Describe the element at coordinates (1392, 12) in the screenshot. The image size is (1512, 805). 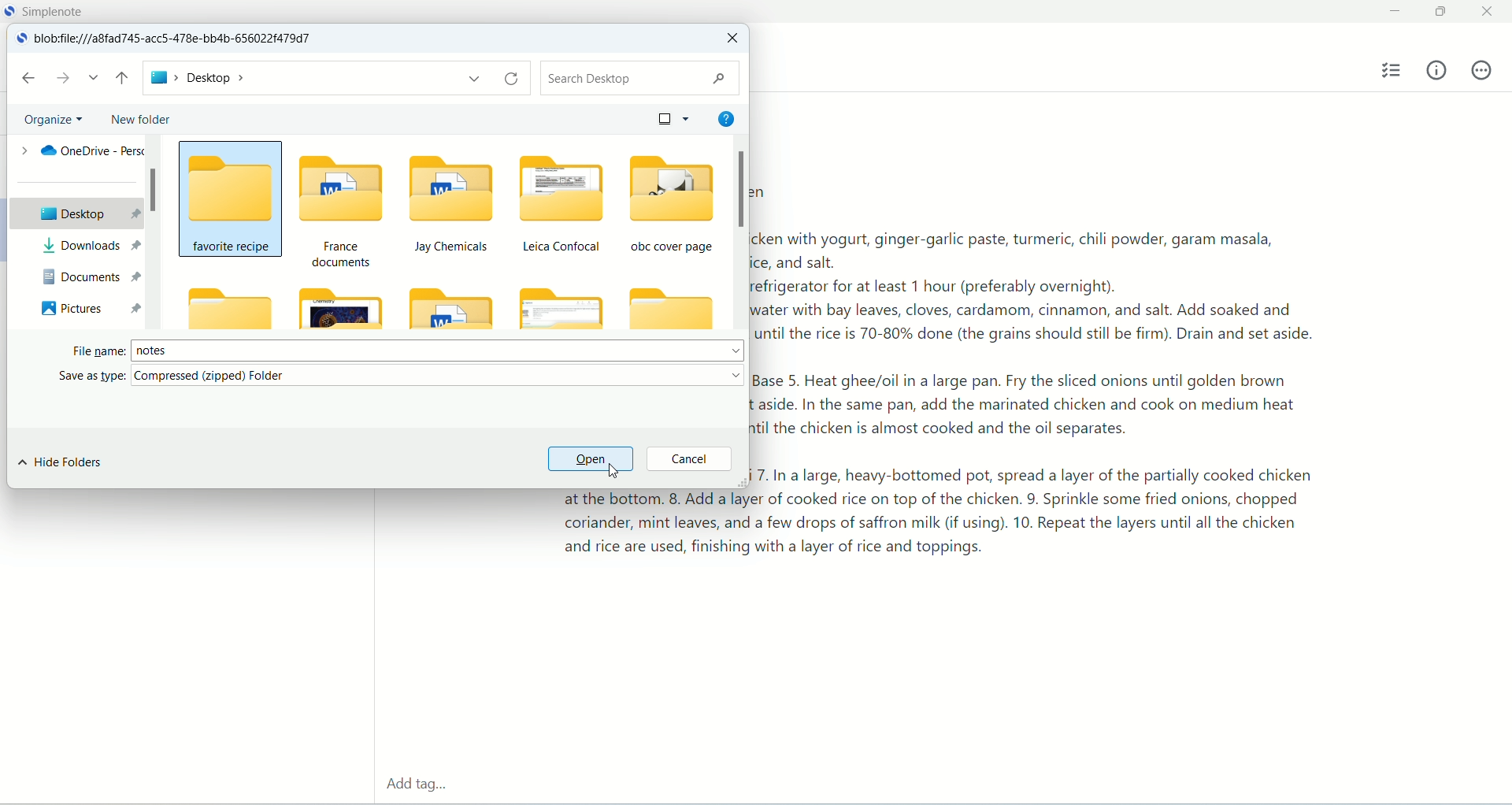
I see `minimize` at that location.